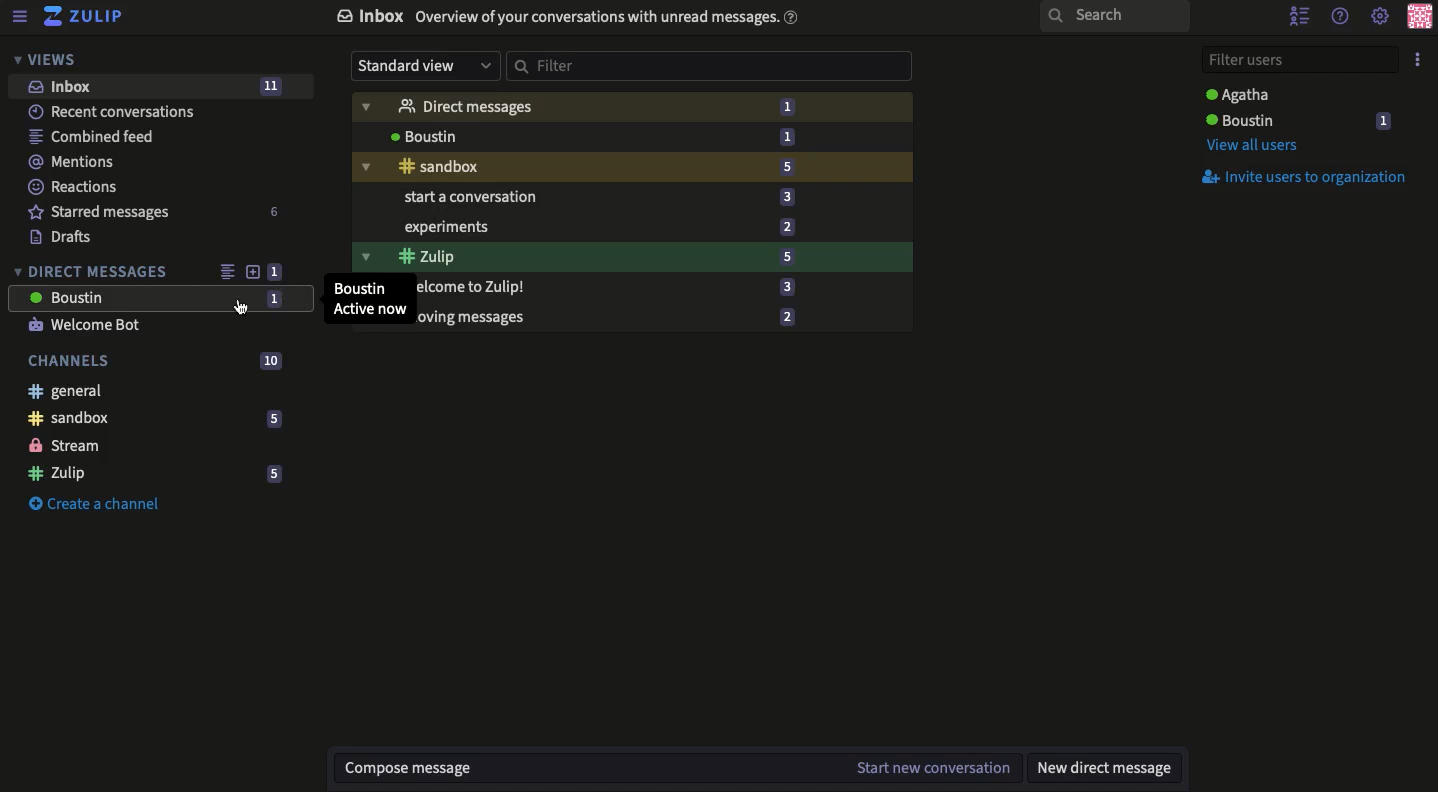 Image resolution: width=1438 pixels, height=792 pixels. What do you see at coordinates (632, 166) in the screenshot?
I see `Sandbox` at bounding box center [632, 166].